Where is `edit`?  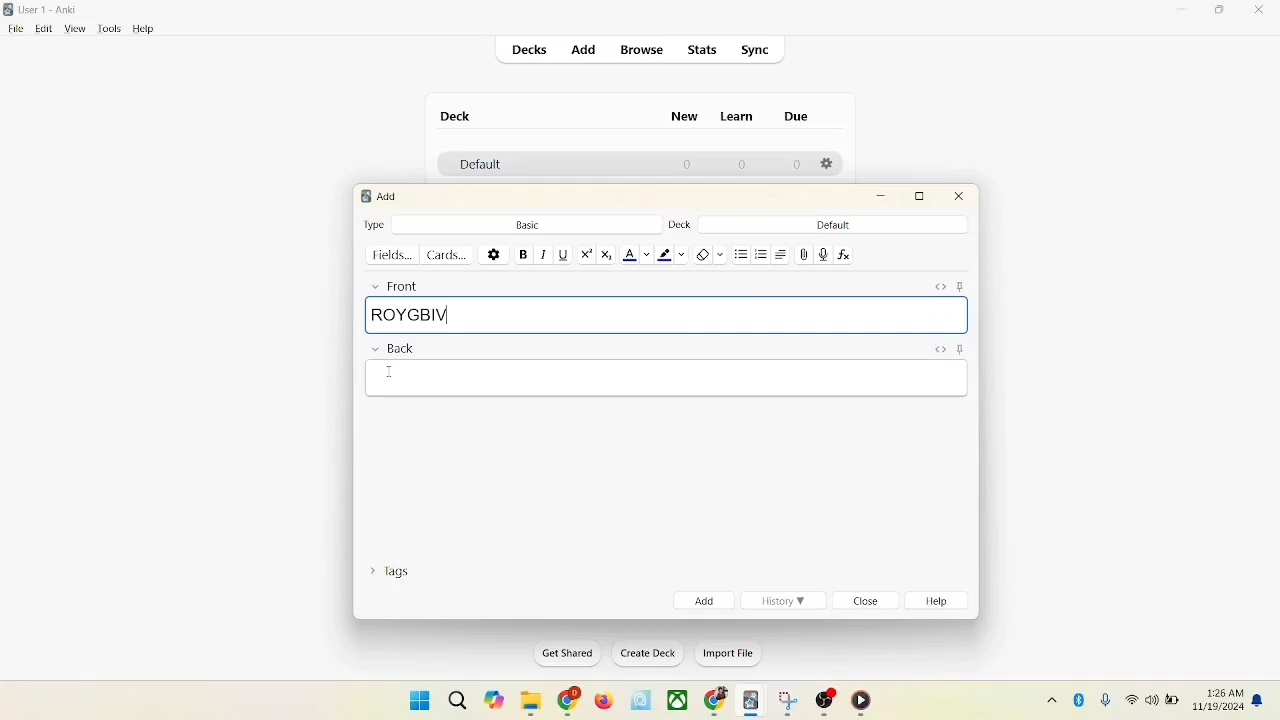
edit is located at coordinates (41, 28).